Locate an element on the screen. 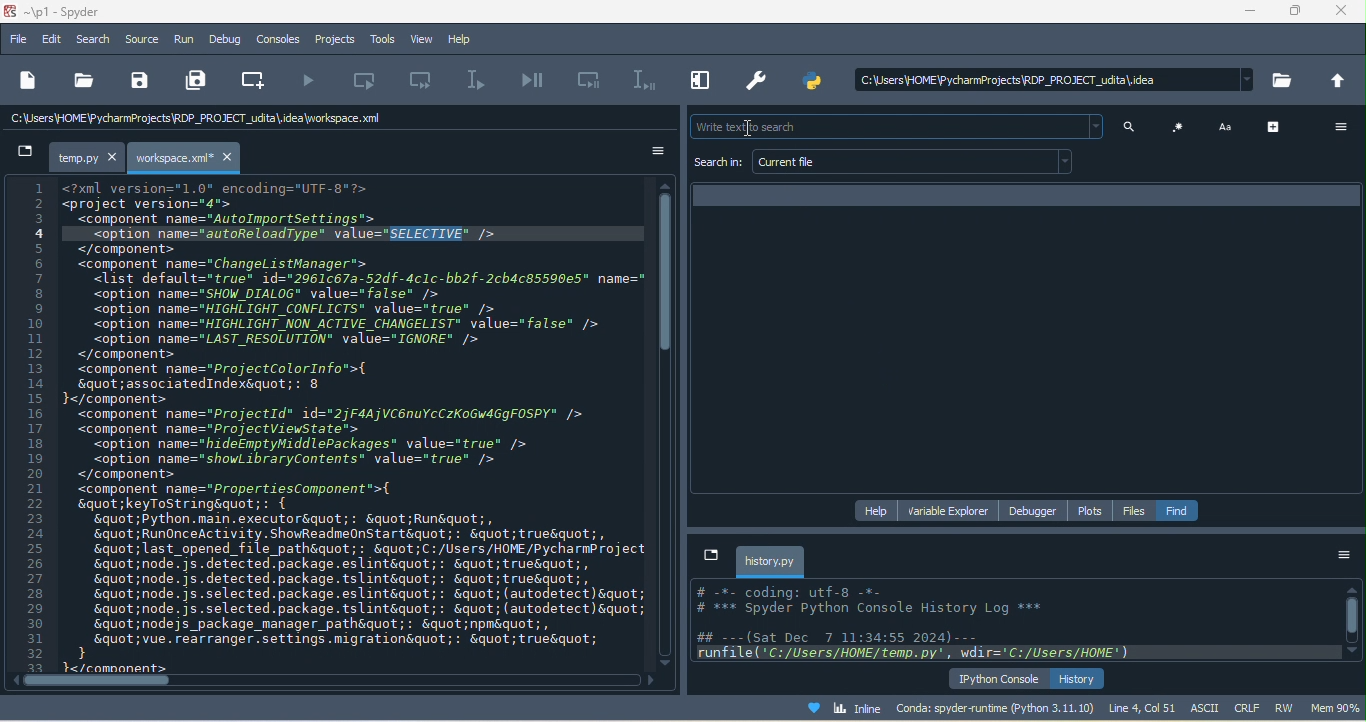  search is located at coordinates (95, 39).